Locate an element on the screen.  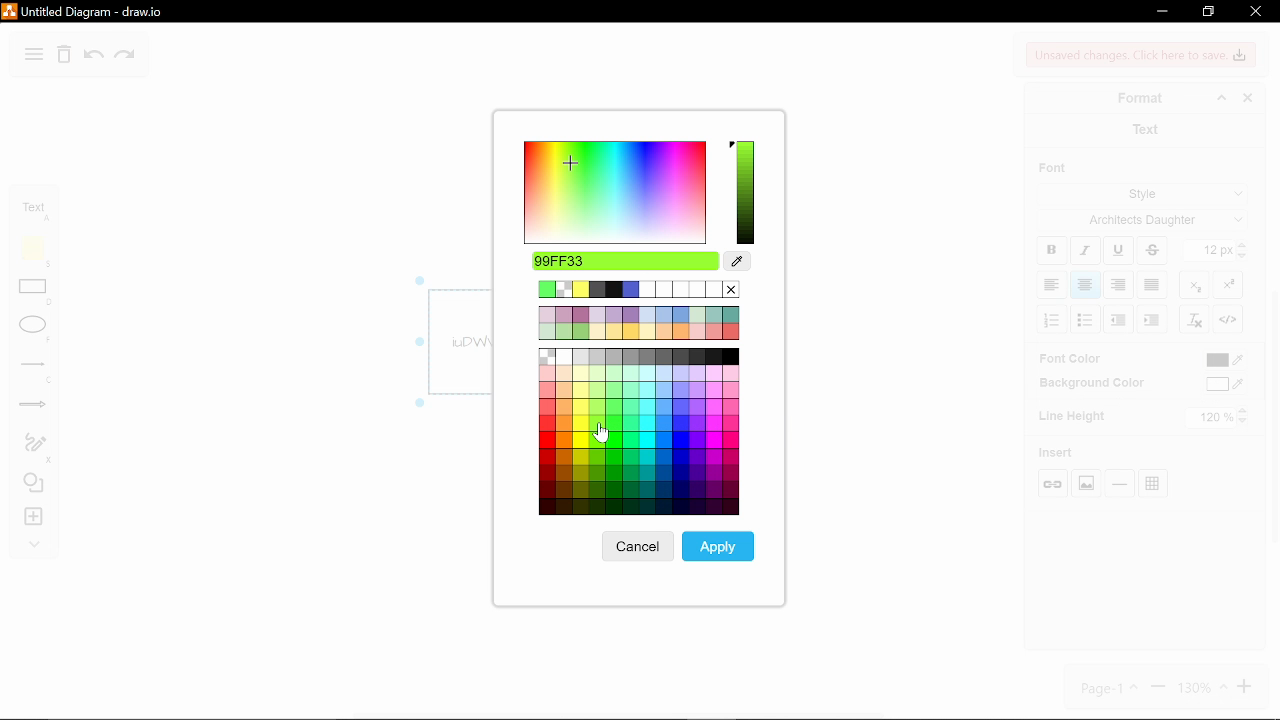
decrease indent is located at coordinates (1152, 320).